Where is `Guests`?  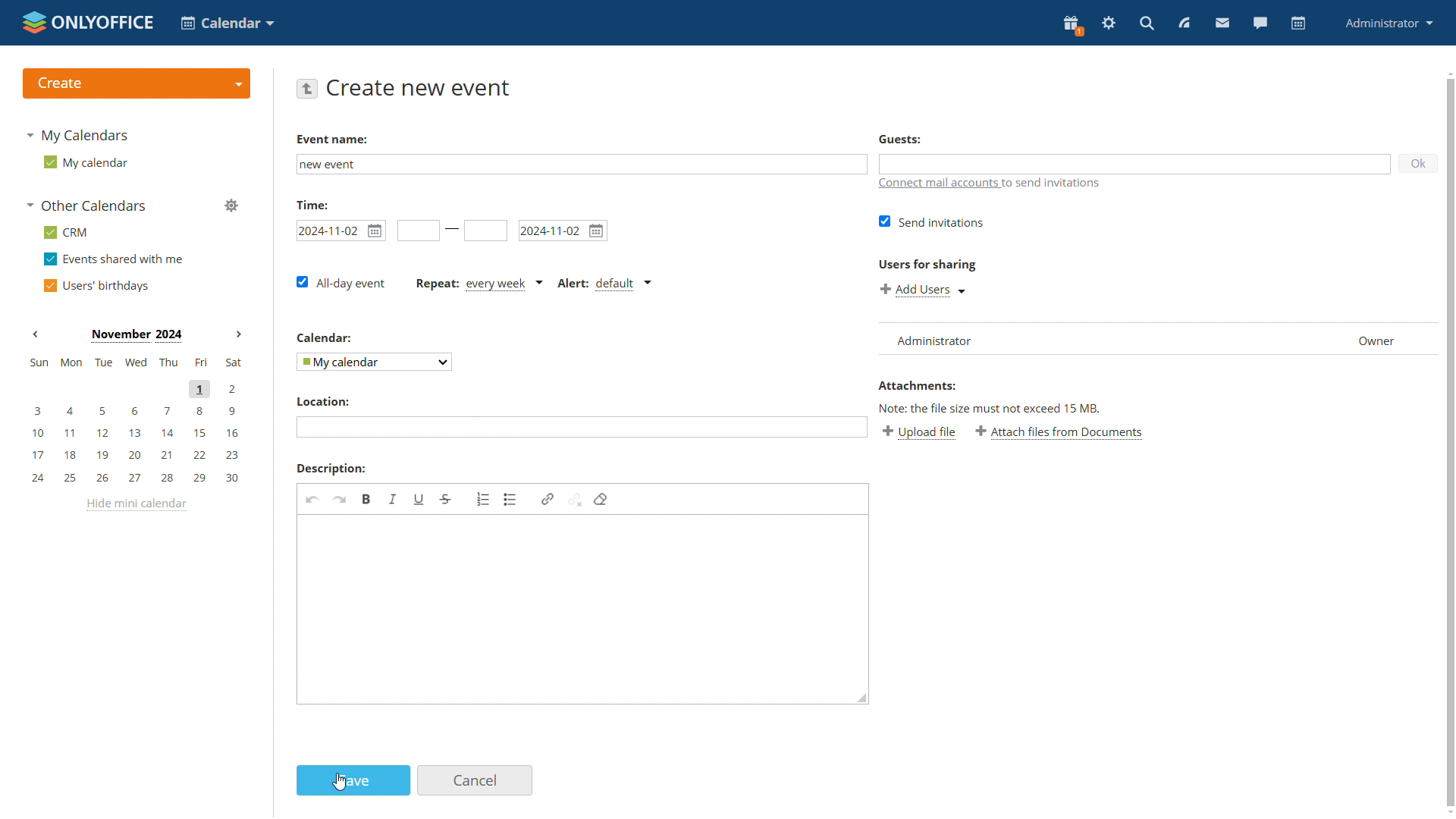
Guests is located at coordinates (900, 140).